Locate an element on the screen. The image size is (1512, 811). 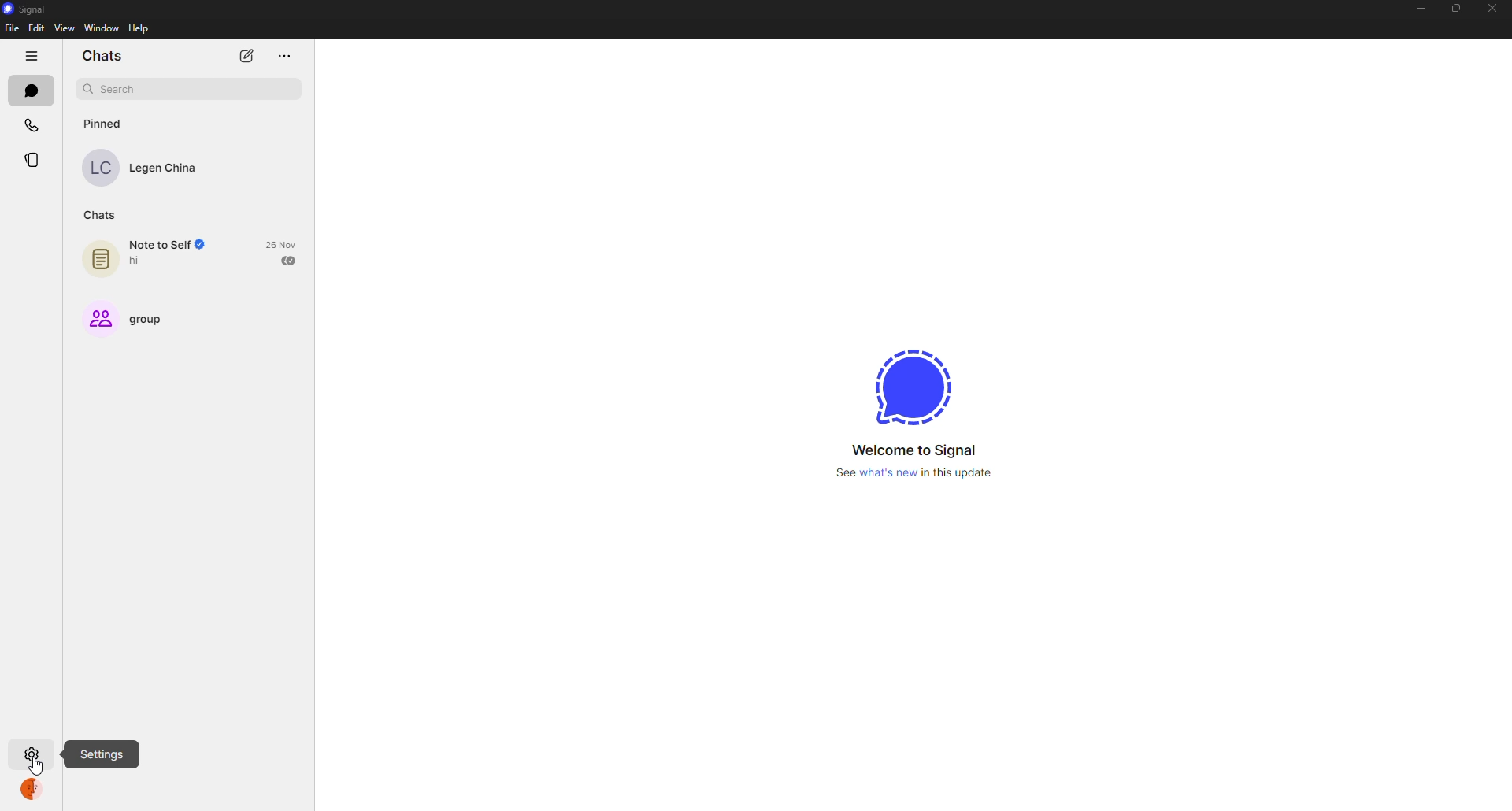
settings is located at coordinates (31, 753).